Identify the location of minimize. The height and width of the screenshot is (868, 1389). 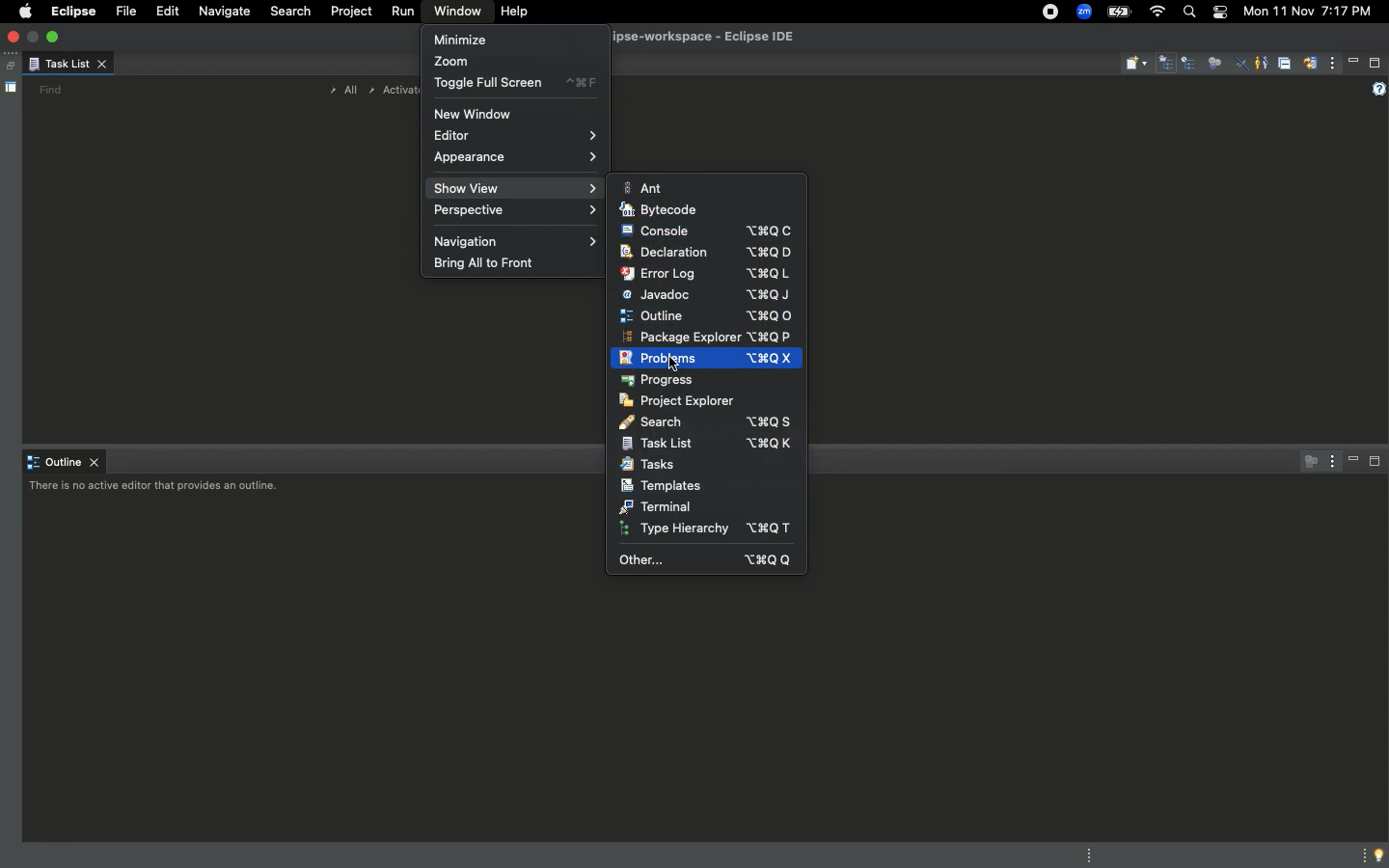
(35, 36).